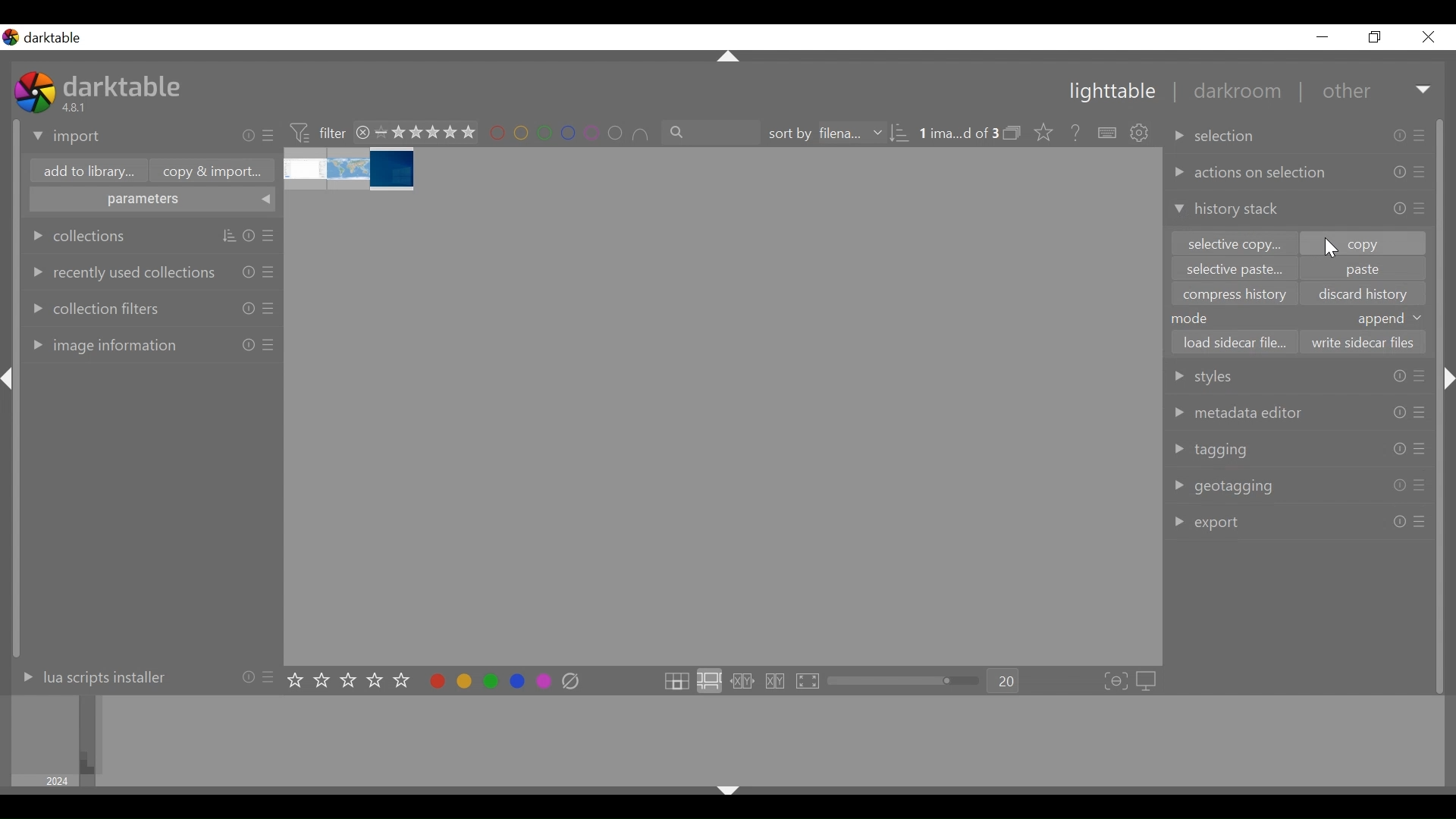 The width and height of the screenshot is (1456, 819). Describe the element at coordinates (486, 680) in the screenshot. I see `toggle color label` at that location.